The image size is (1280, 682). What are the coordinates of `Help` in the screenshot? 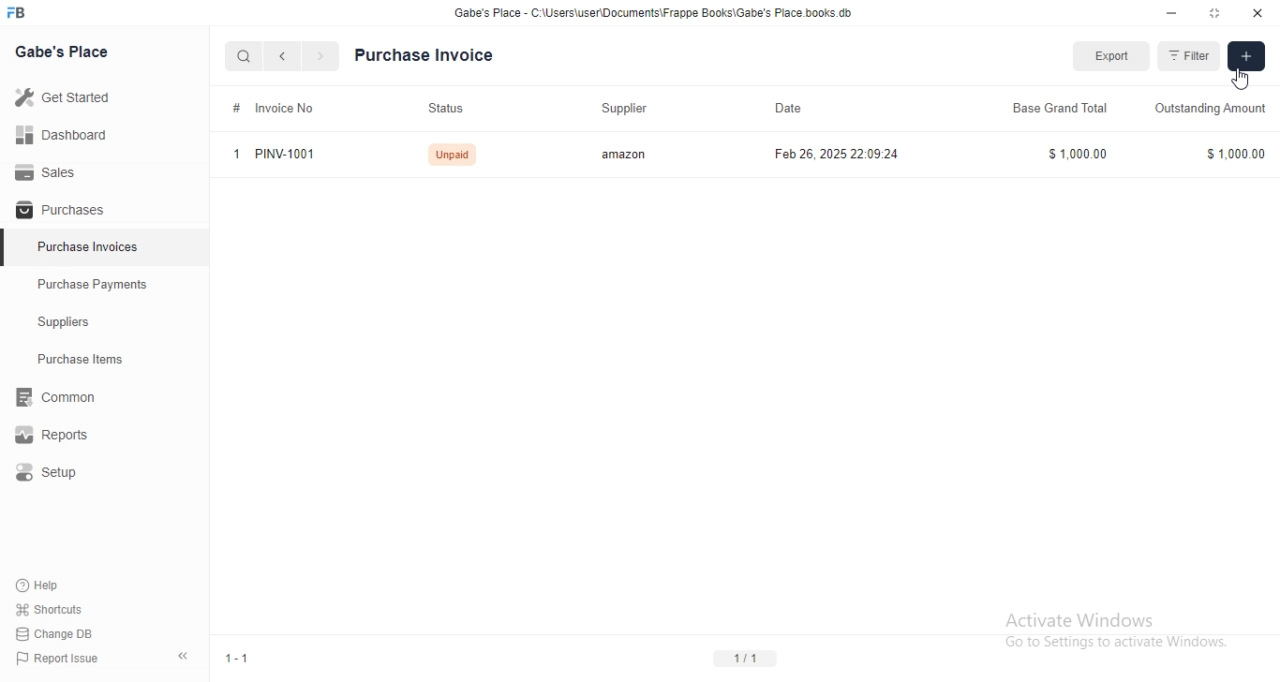 It's located at (49, 586).